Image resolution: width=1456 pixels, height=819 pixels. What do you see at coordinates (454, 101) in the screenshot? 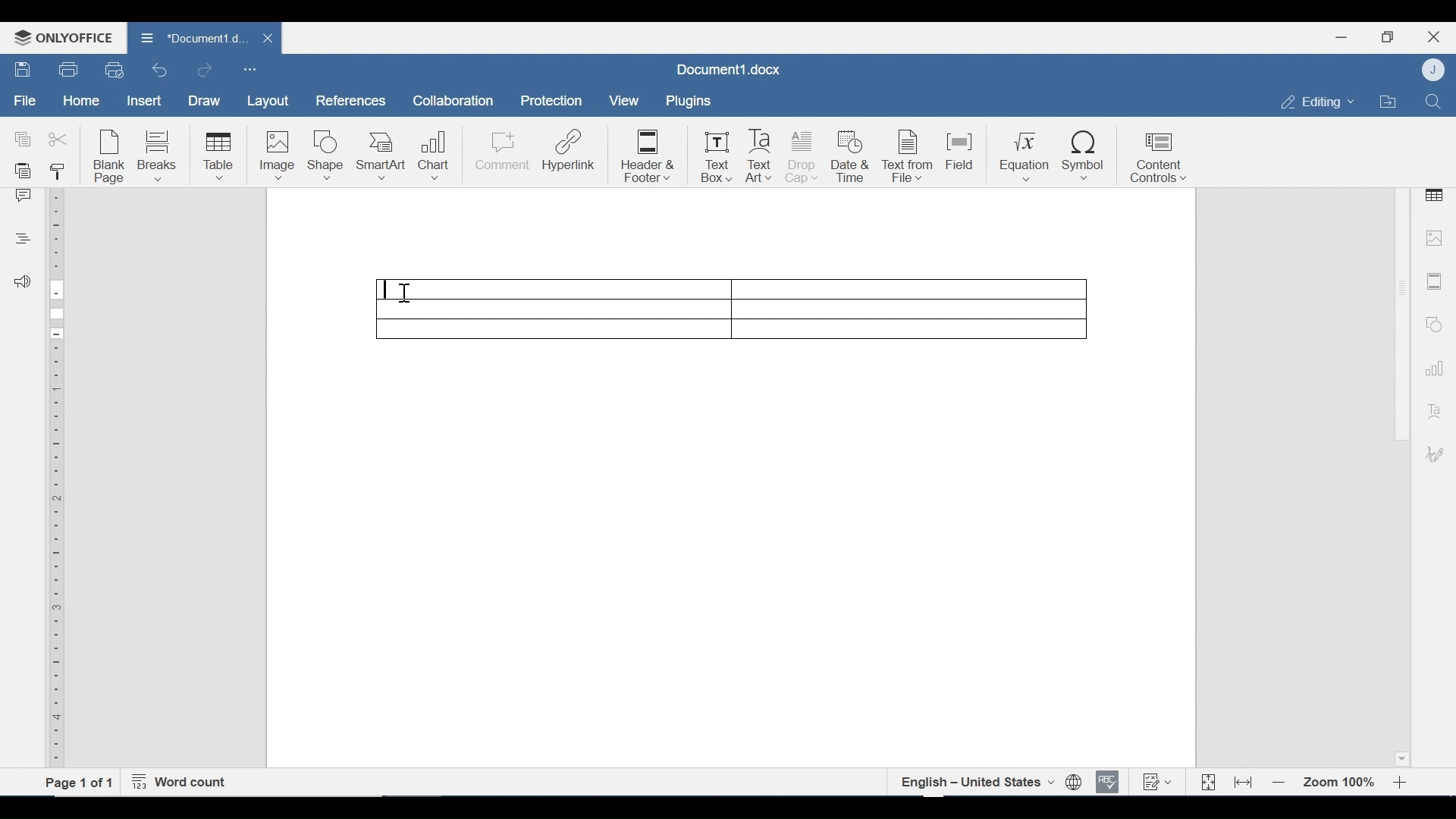
I see `Collaboration` at bounding box center [454, 101].